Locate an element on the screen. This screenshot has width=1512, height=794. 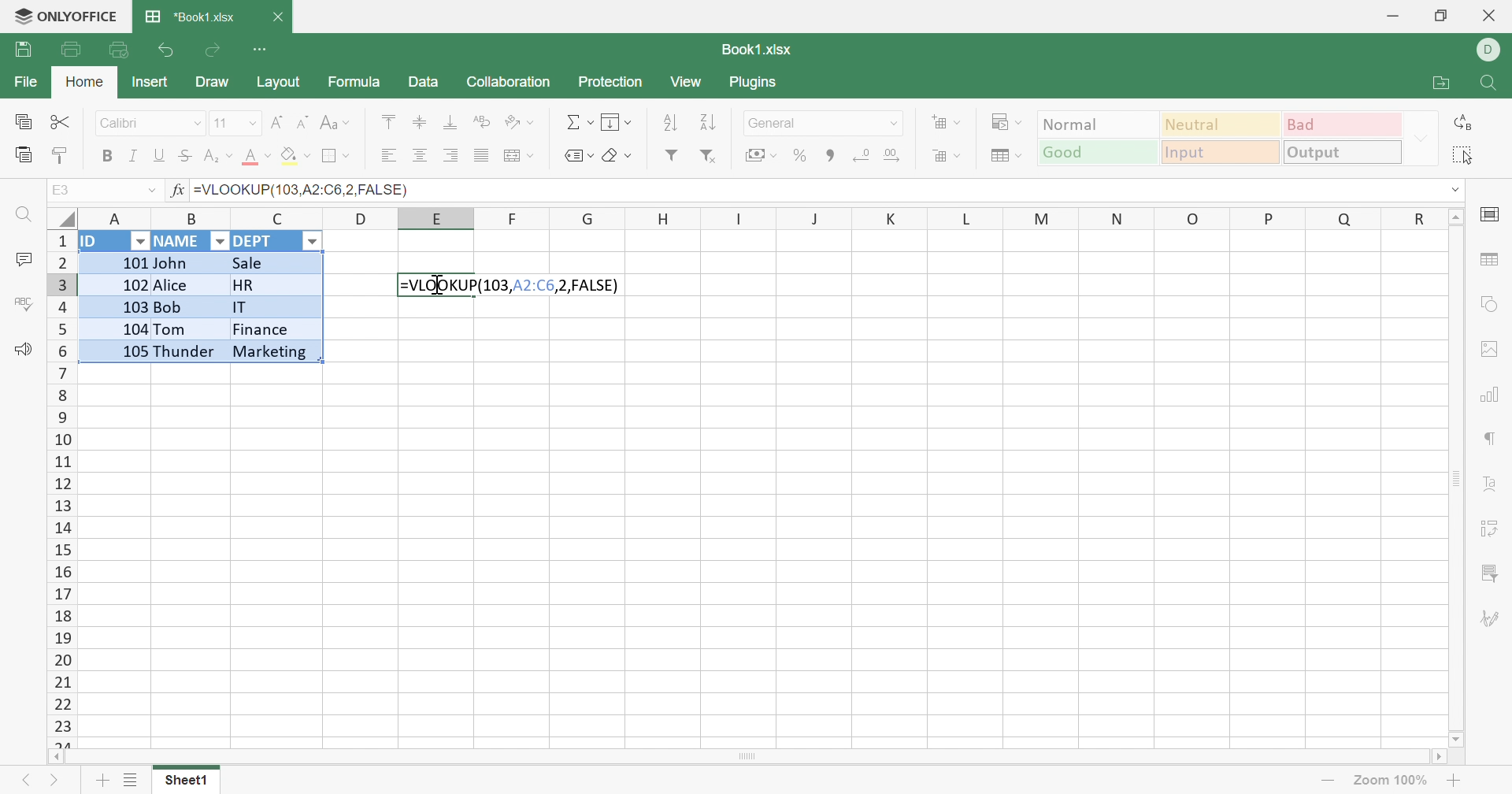
101 is located at coordinates (117, 260).